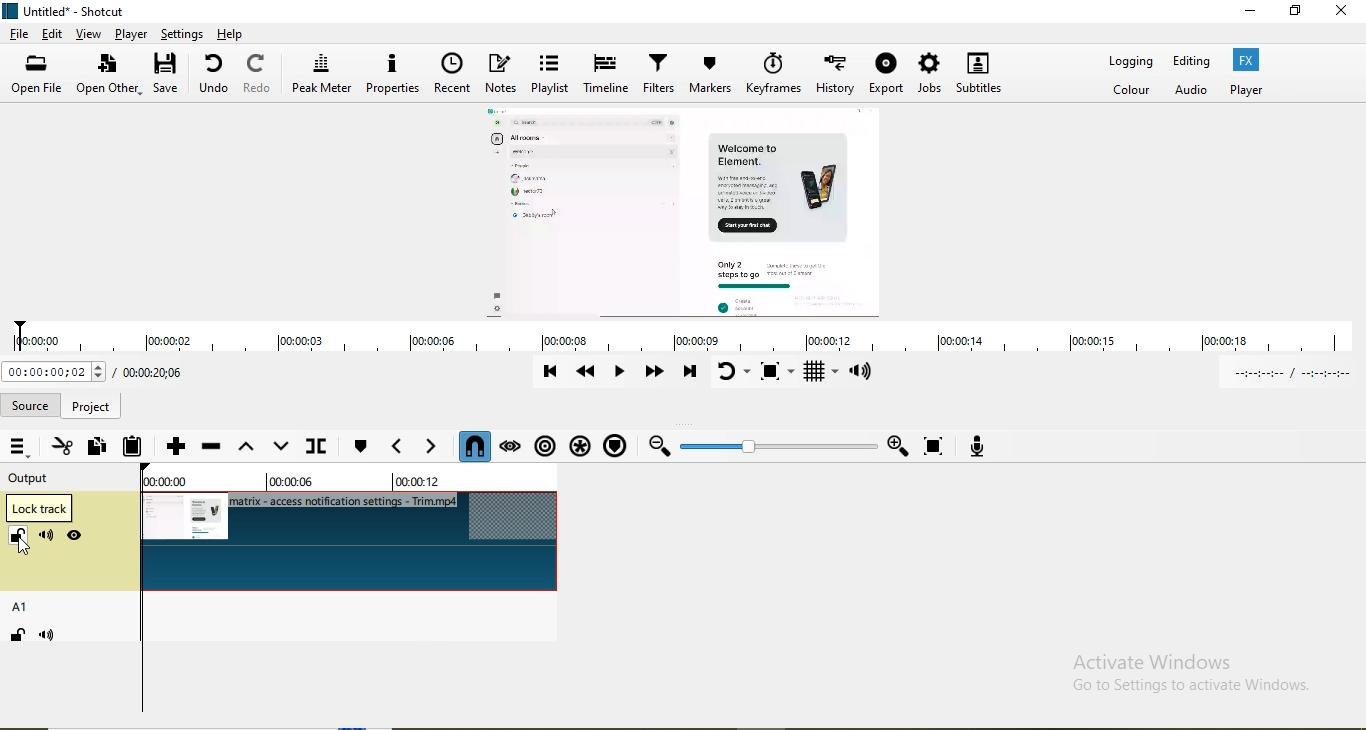  What do you see at coordinates (552, 377) in the screenshot?
I see `Skip to previous` at bounding box center [552, 377].